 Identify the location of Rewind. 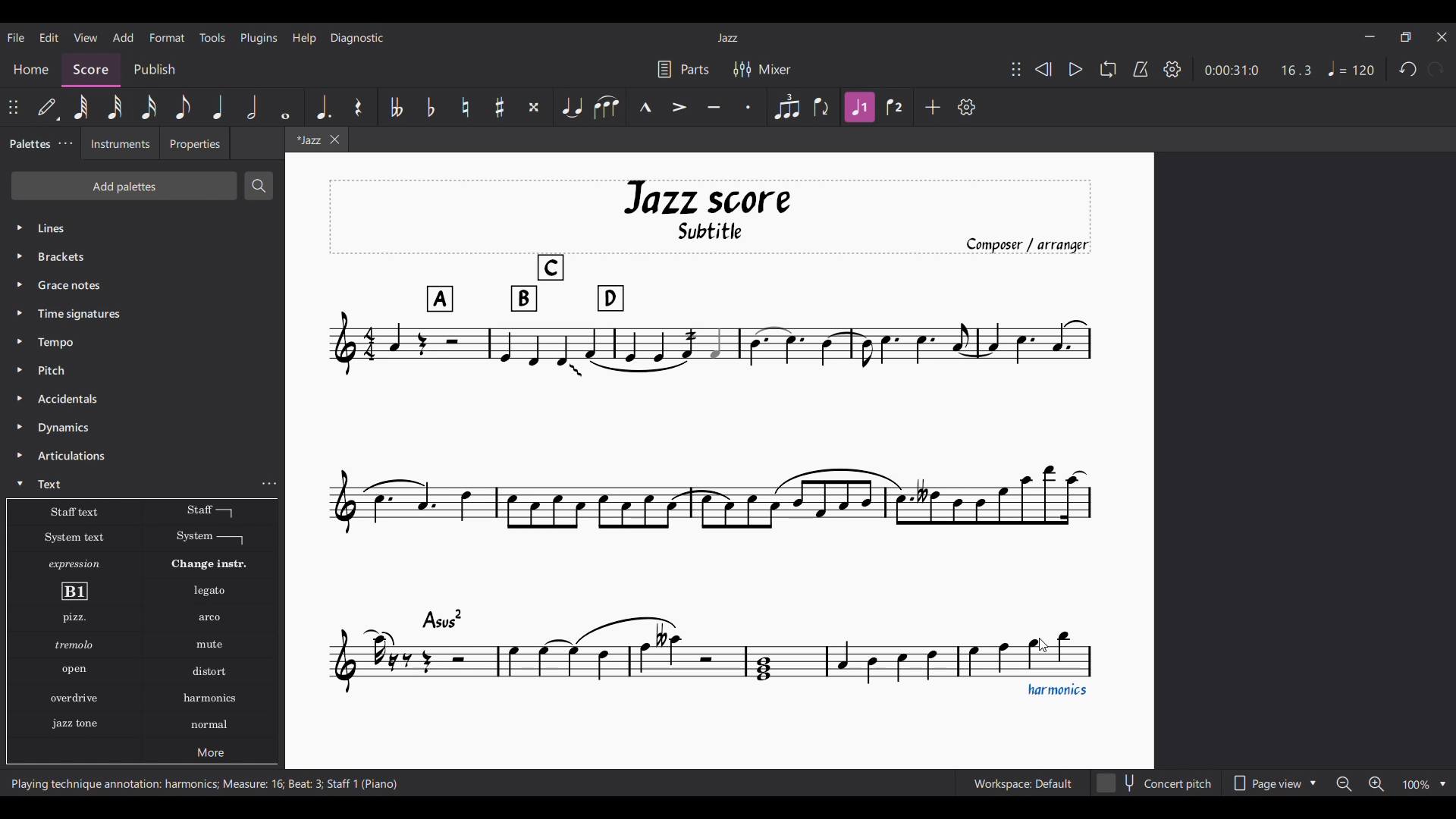
(1043, 69).